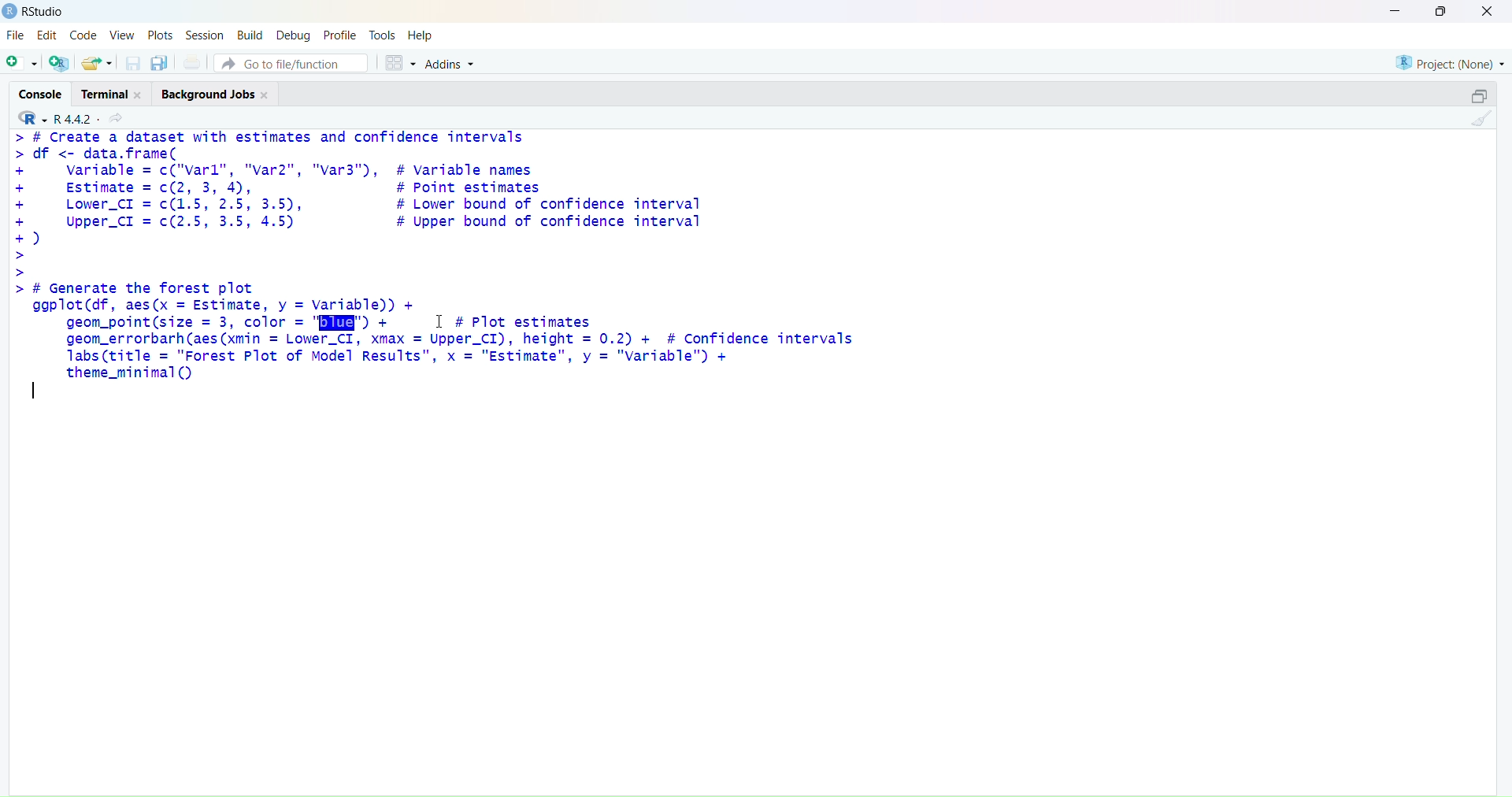  Describe the element at coordinates (161, 35) in the screenshot. I see `Plots` at that location.